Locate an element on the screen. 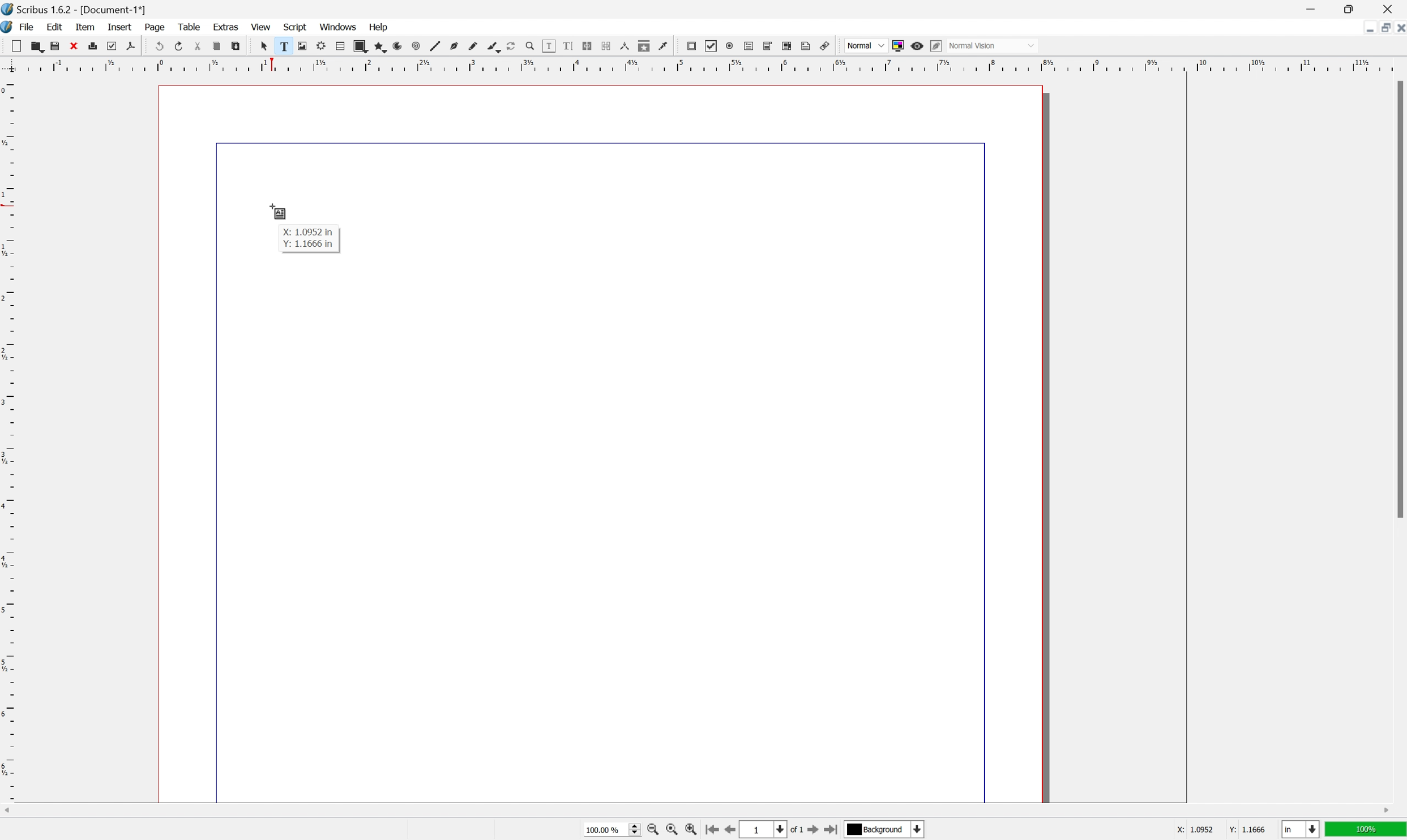 The height and width of the screenshot is (840, 1407). pdf checkbox is located at coordinates (712, 46).